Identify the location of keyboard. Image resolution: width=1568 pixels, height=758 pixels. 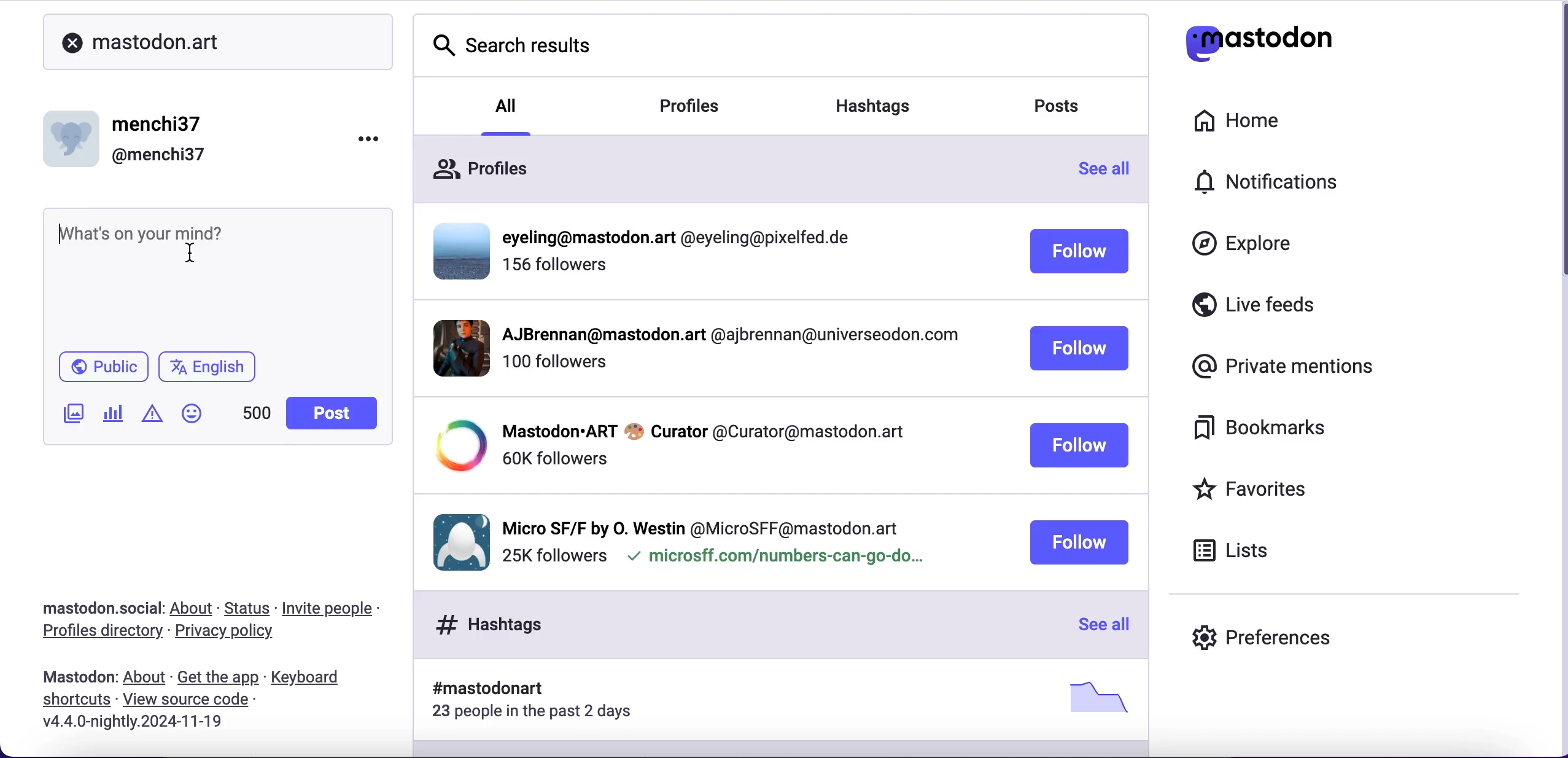
(320, 677).